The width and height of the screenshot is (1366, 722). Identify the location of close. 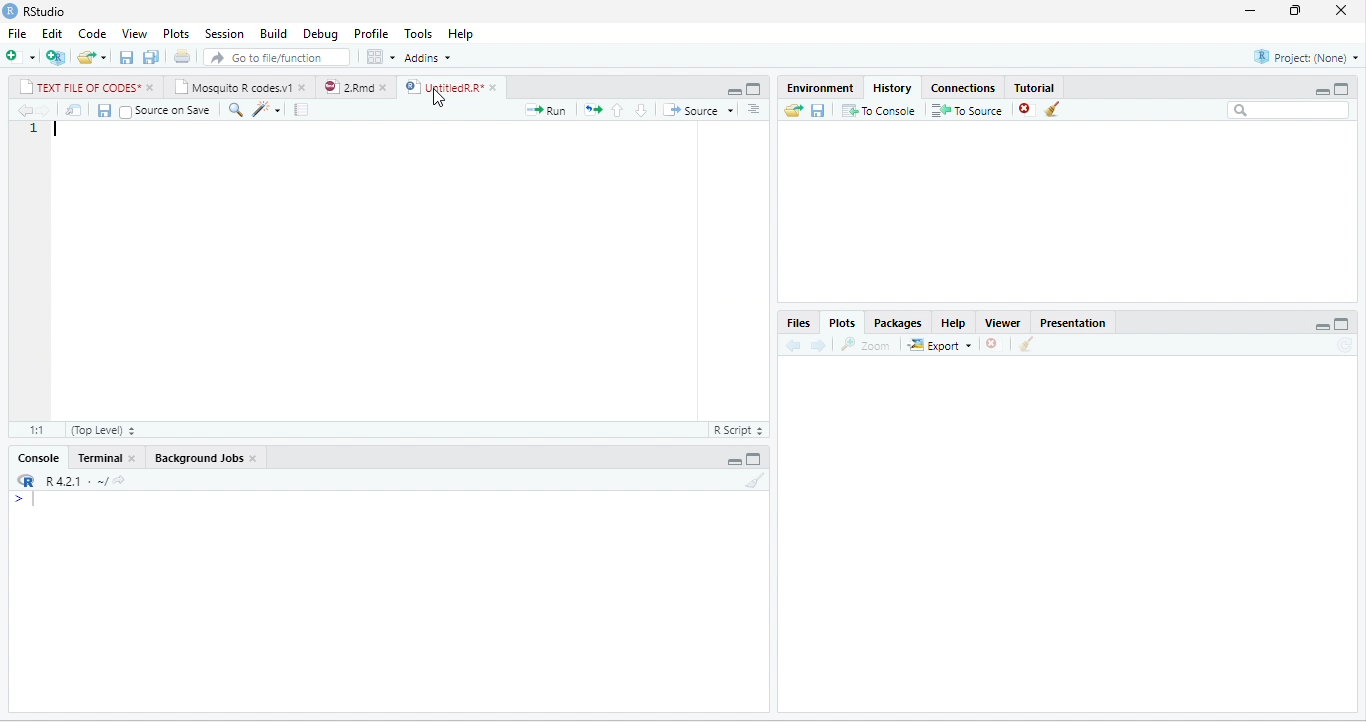
(387, 87).